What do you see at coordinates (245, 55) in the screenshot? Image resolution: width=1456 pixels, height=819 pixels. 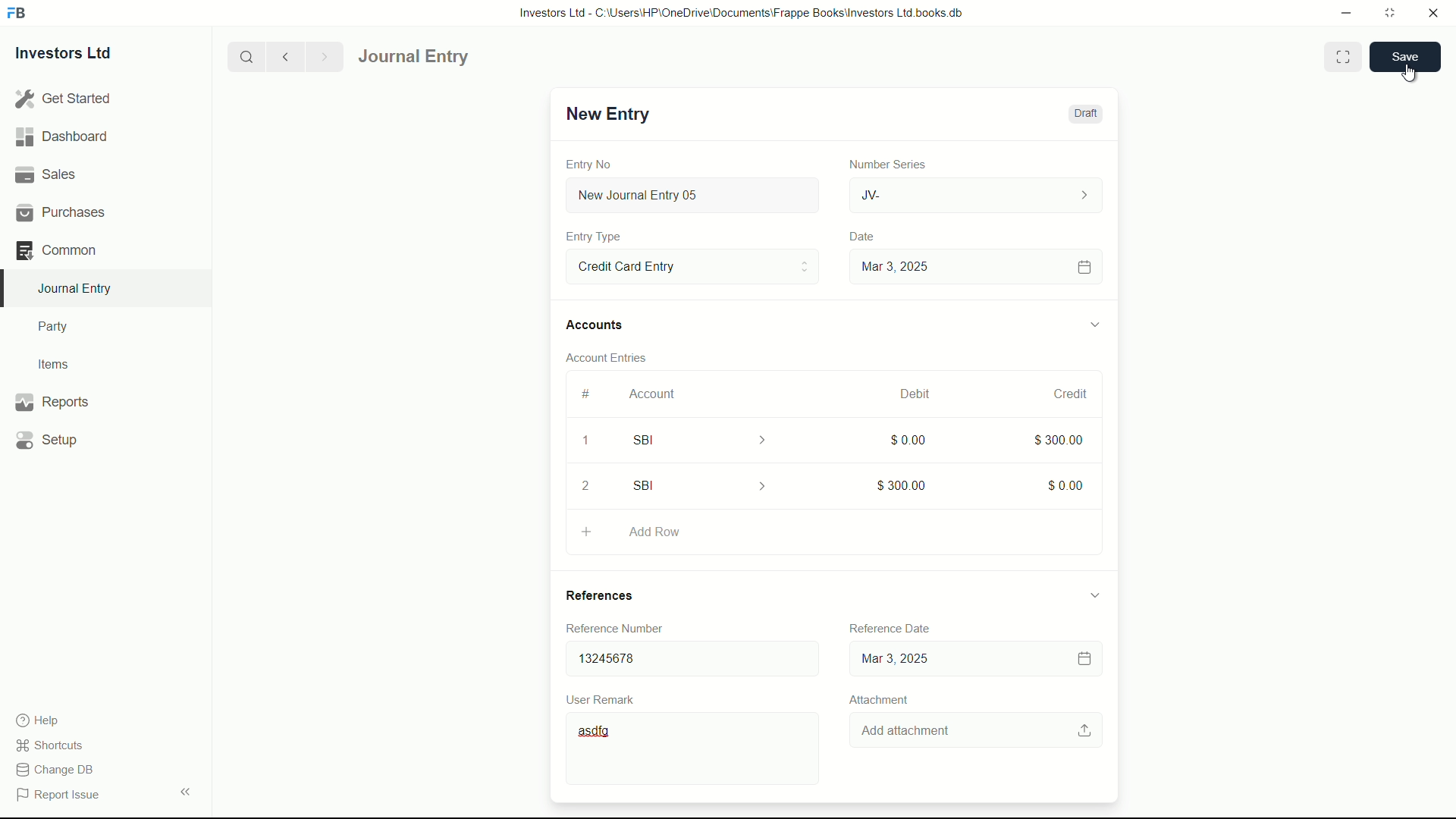 I see `search` at bounding box center [245, 55].